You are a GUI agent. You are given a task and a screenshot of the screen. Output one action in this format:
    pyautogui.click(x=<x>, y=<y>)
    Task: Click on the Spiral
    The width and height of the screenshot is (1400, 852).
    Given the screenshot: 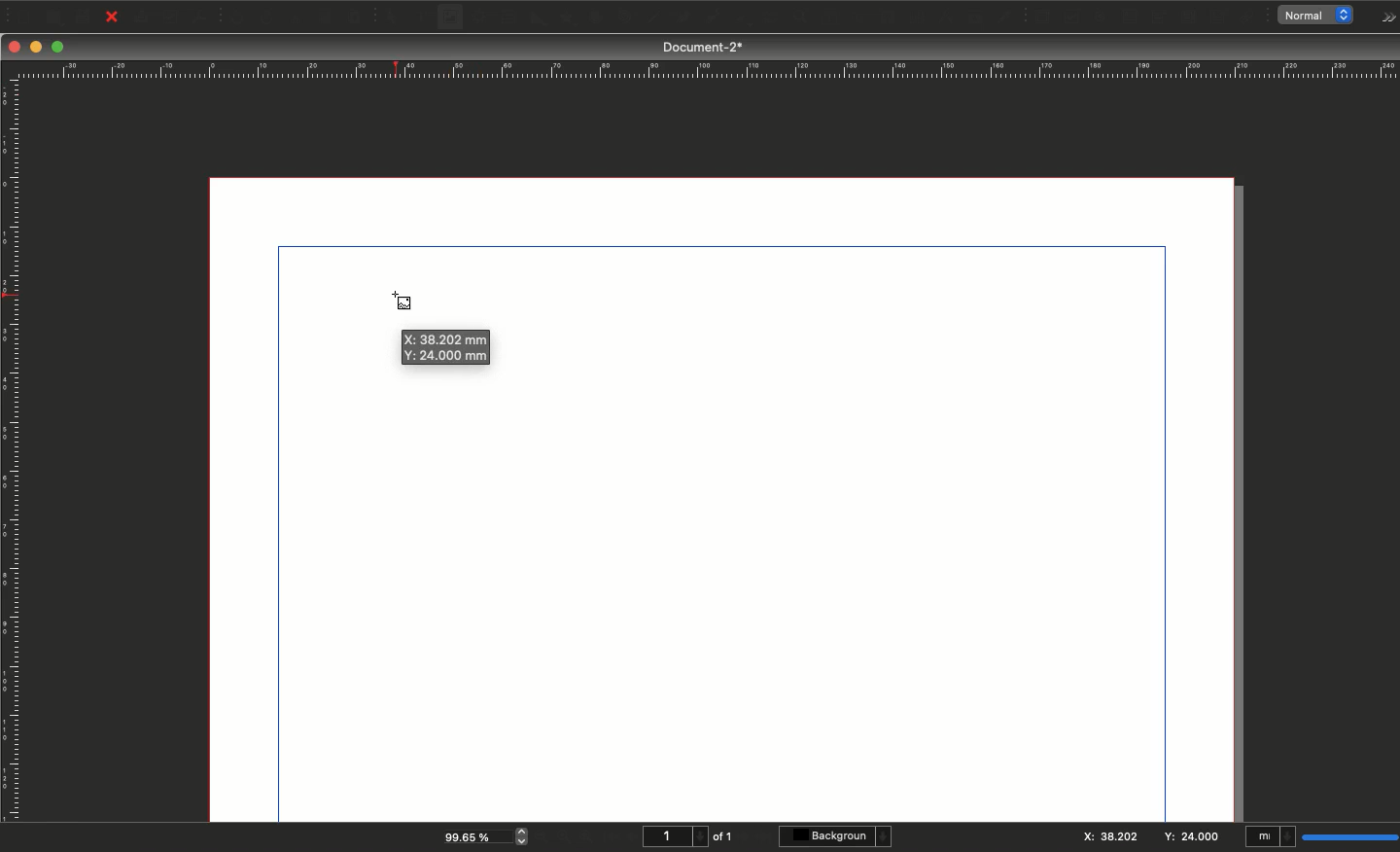 What is the action you would take?
    pyautogui.click(x=628, y=19)
    